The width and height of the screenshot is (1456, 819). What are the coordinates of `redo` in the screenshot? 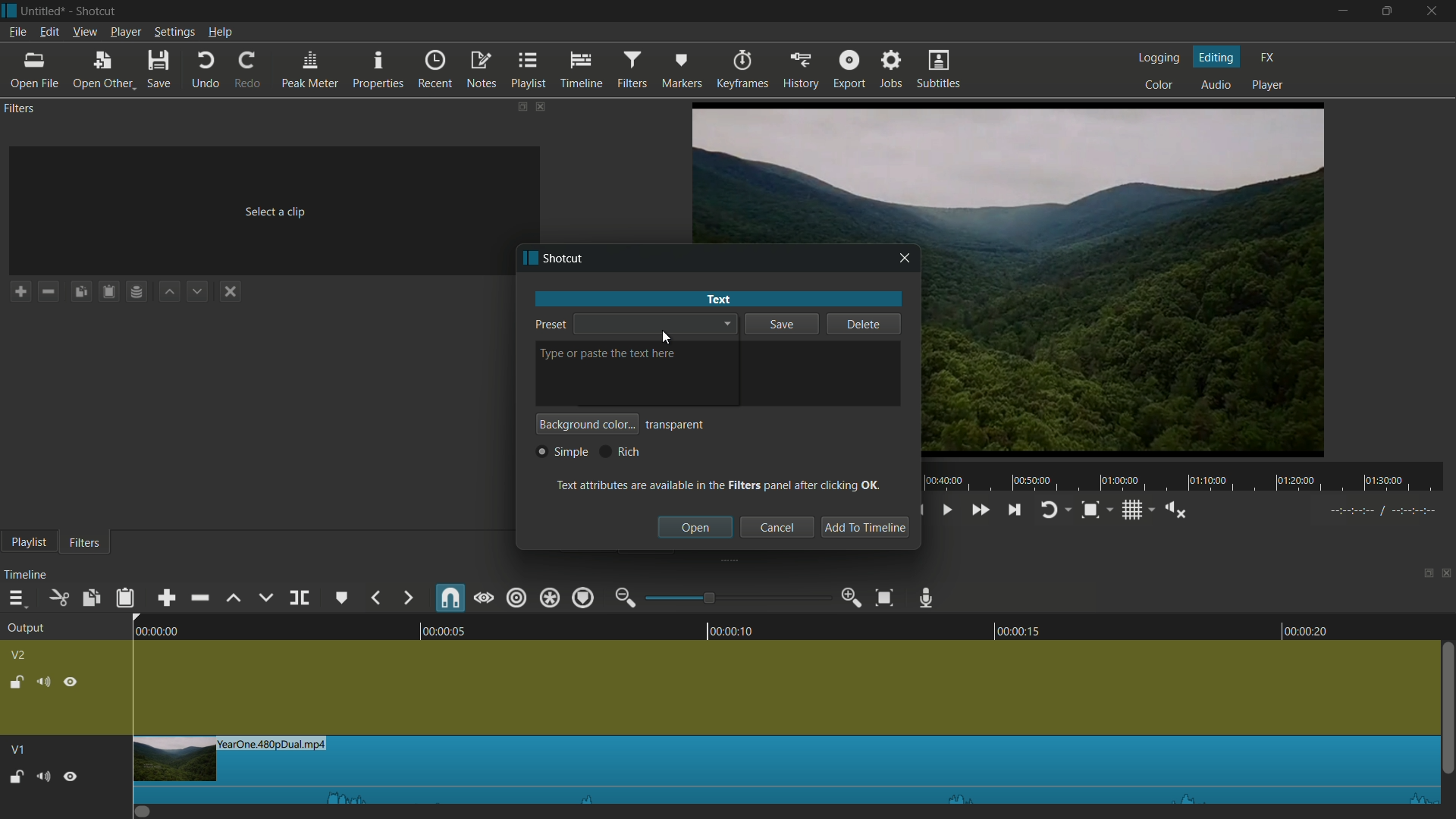 It's located at (249, 70).